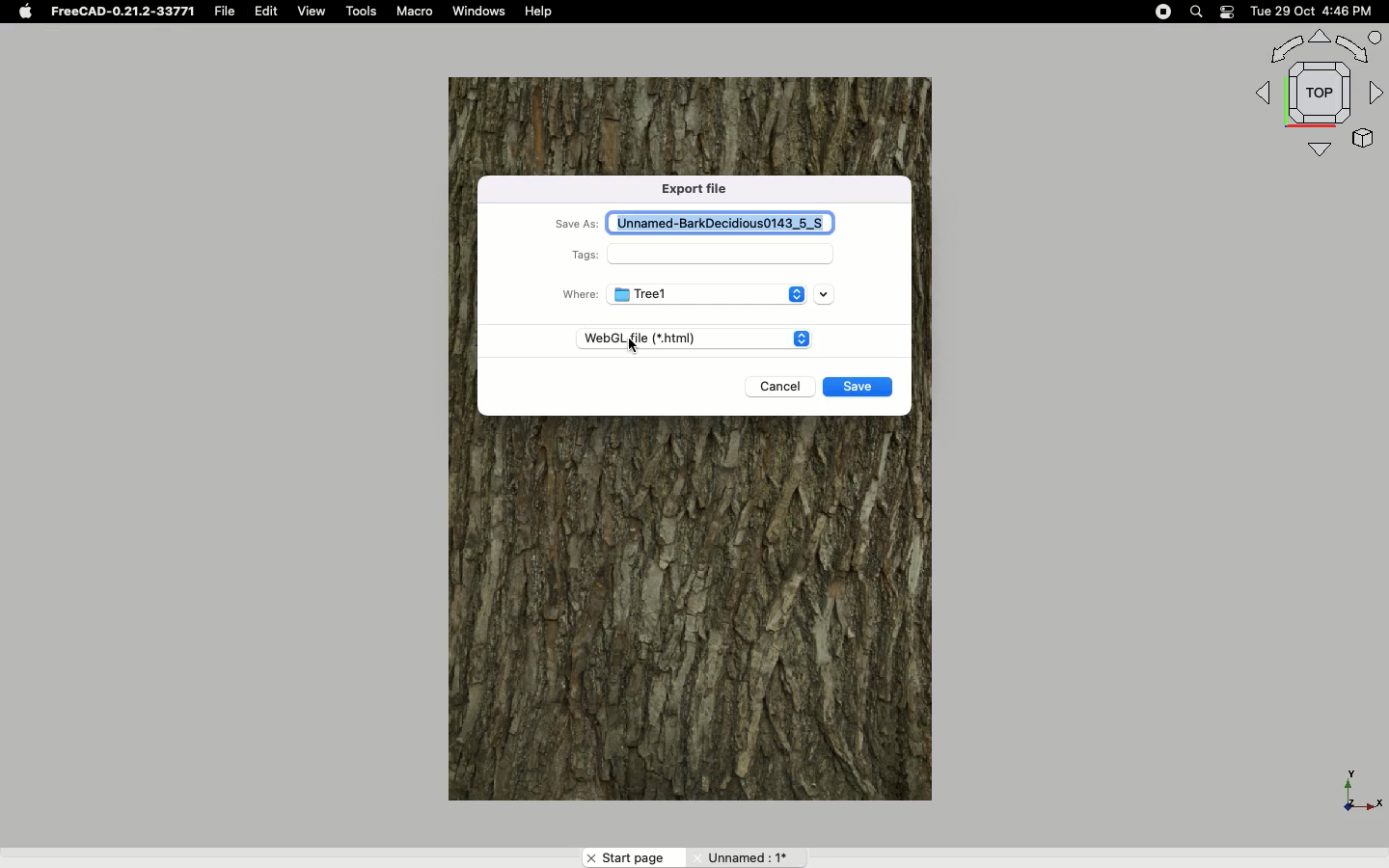 Image resolution: width=1389 pixels, height=868 pixels. What do you see at coordinates (700, 191) in the screenshot?
I see `Export file` at bounding box center [700, 191].